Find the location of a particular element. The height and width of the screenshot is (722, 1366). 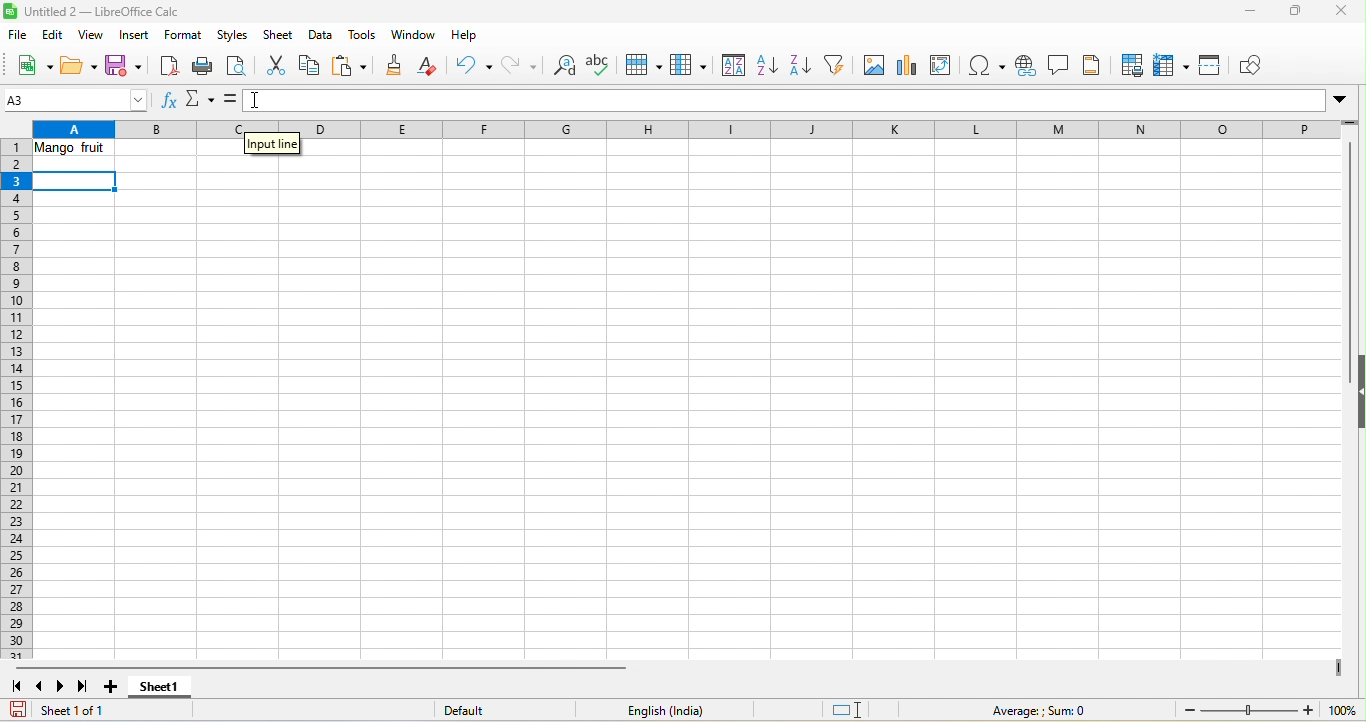

sheet 1 is located at coordinates (158, 691).